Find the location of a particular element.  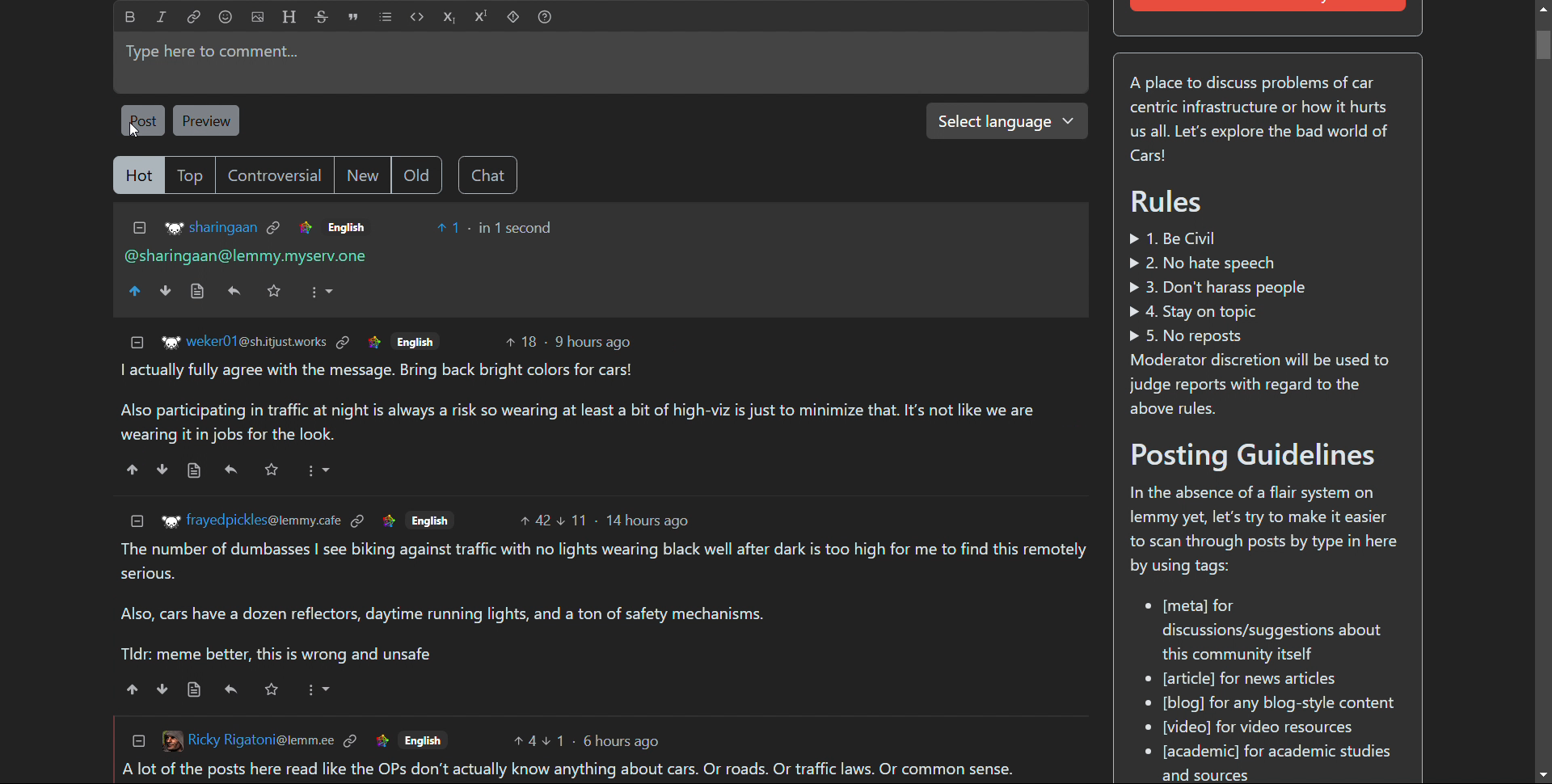

(3) Ricky Rigatoni@lemm.ce is located at coordinates (247, 739).